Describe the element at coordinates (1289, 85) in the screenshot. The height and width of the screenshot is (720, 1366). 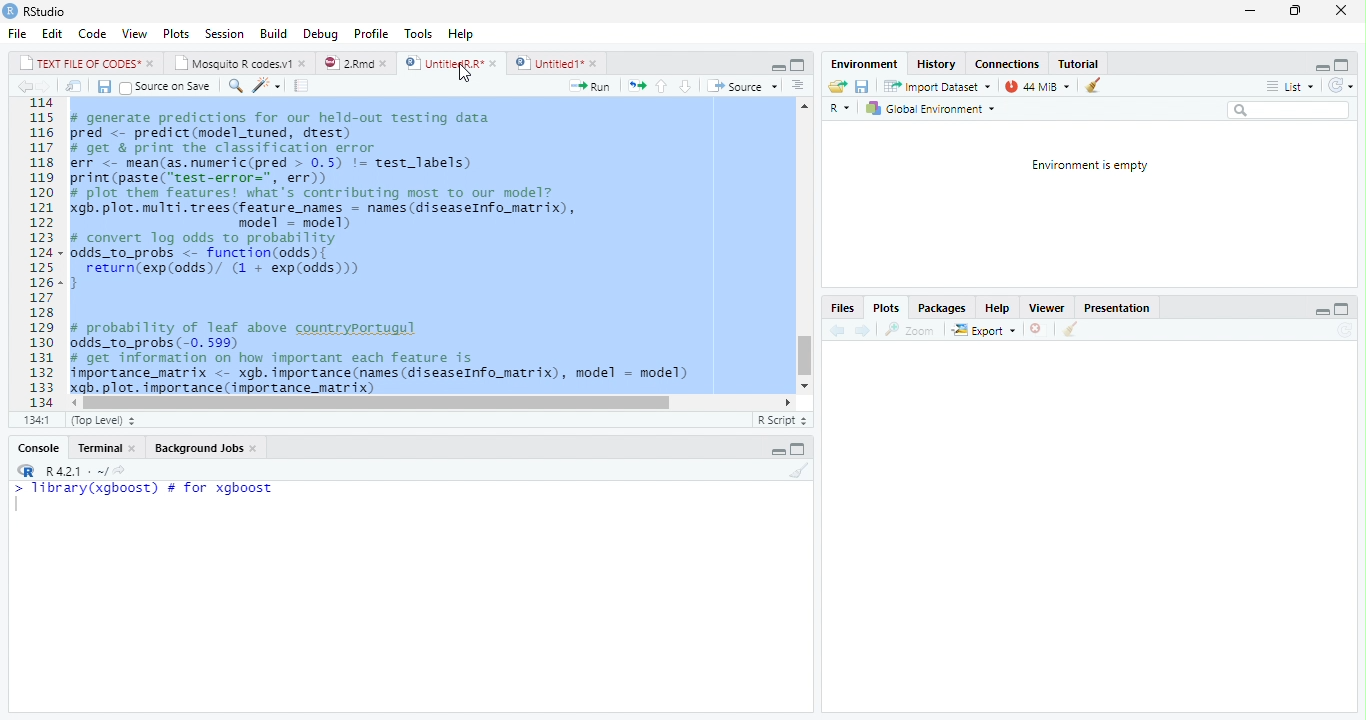
I see `List` at that location.